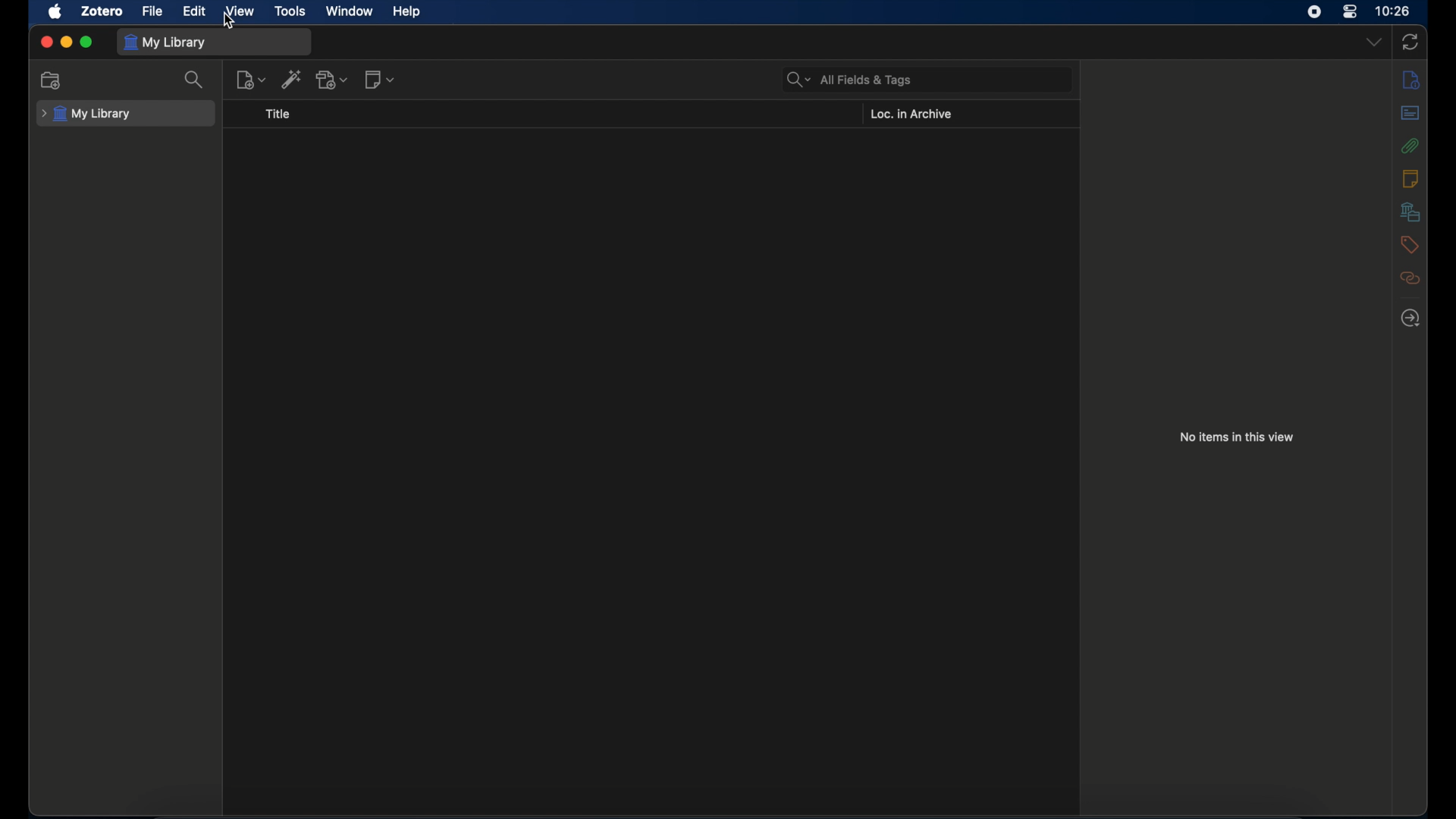  What do you see at coordinates (87, 42) in the screenshot?
I see `maximize` at bounding box center [87, 42].